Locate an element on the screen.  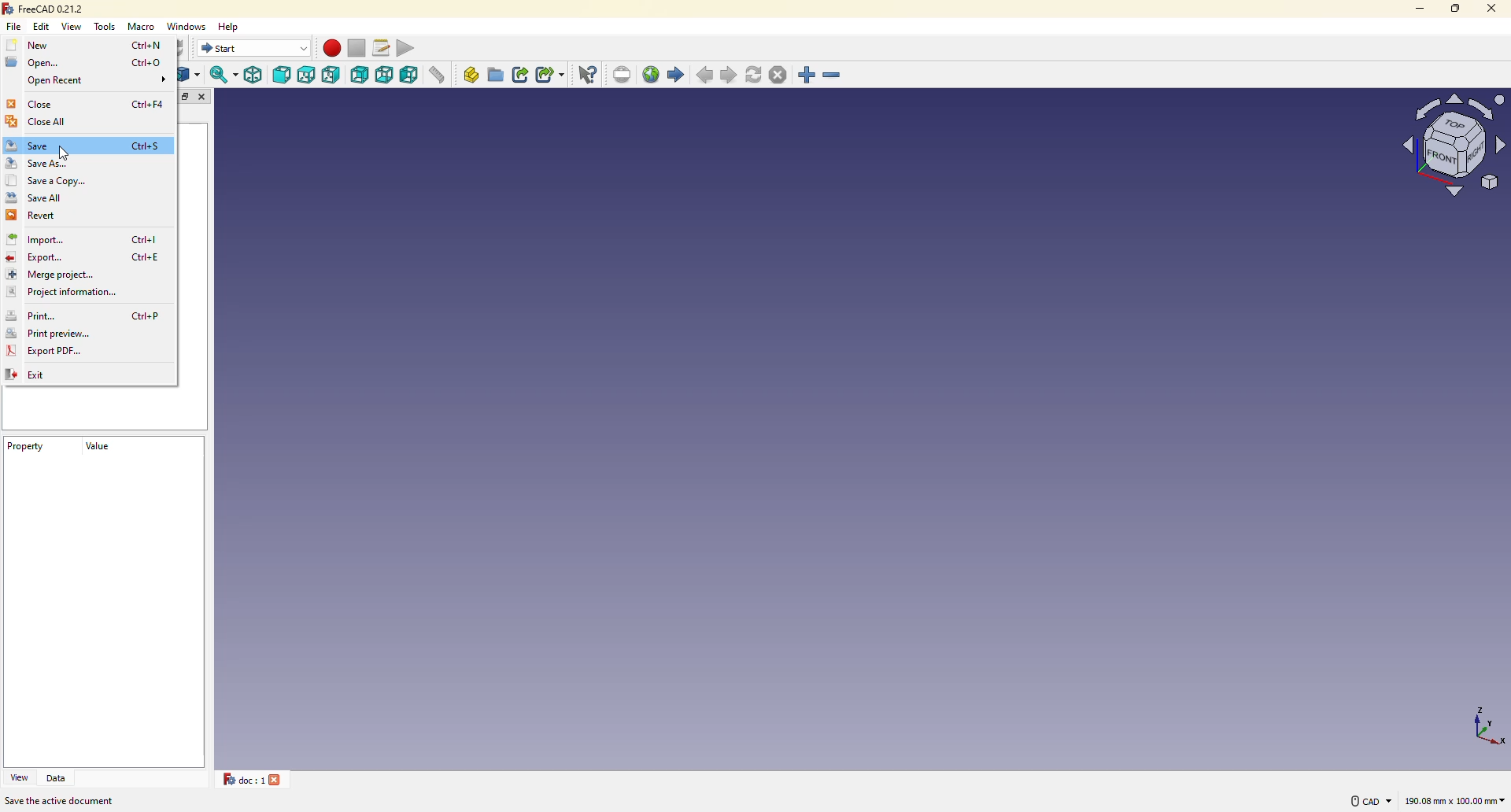
ctrl+f4 is located at coordinates (148, 105).